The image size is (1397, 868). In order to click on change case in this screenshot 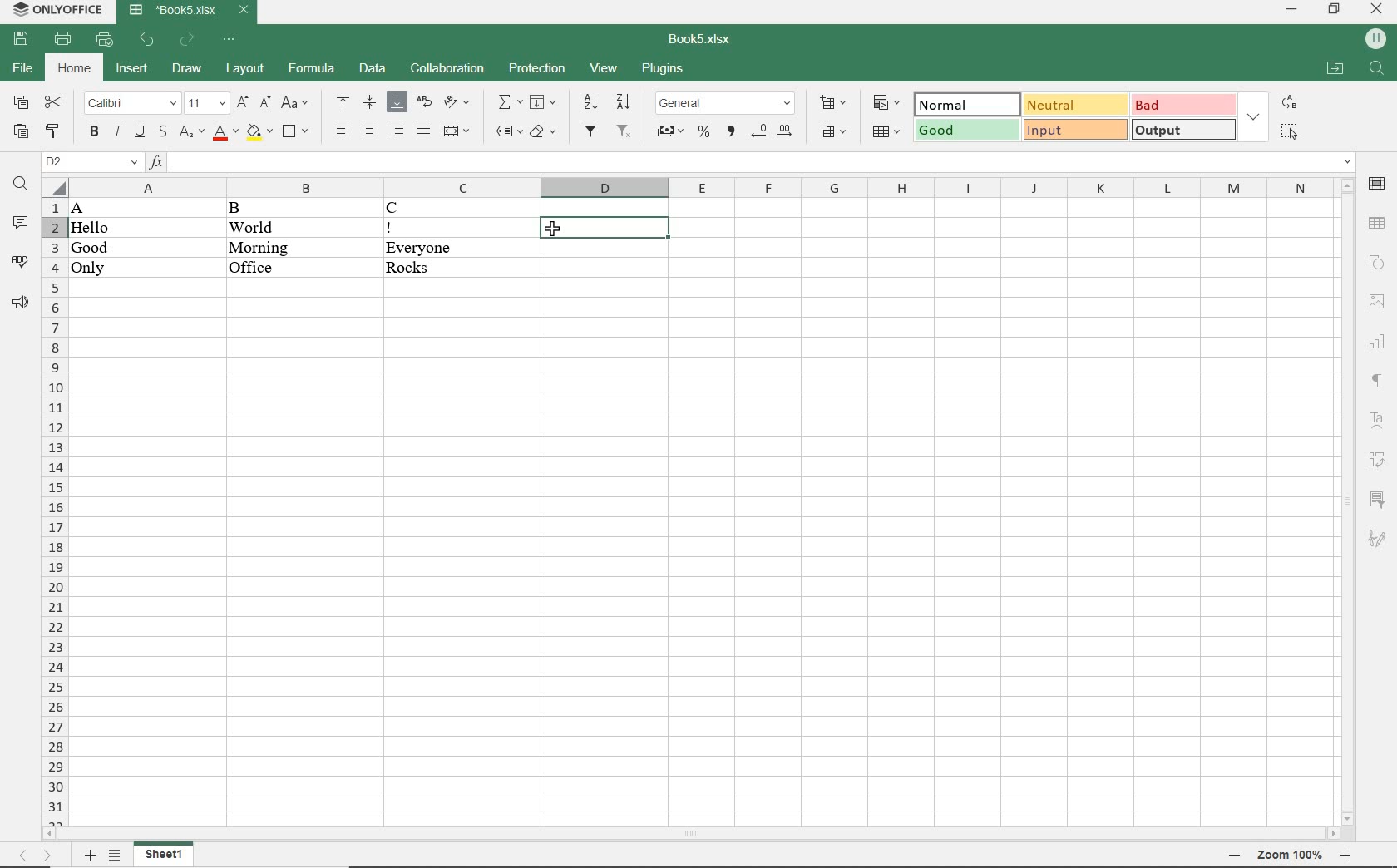, I will do `click(294, 104)`.